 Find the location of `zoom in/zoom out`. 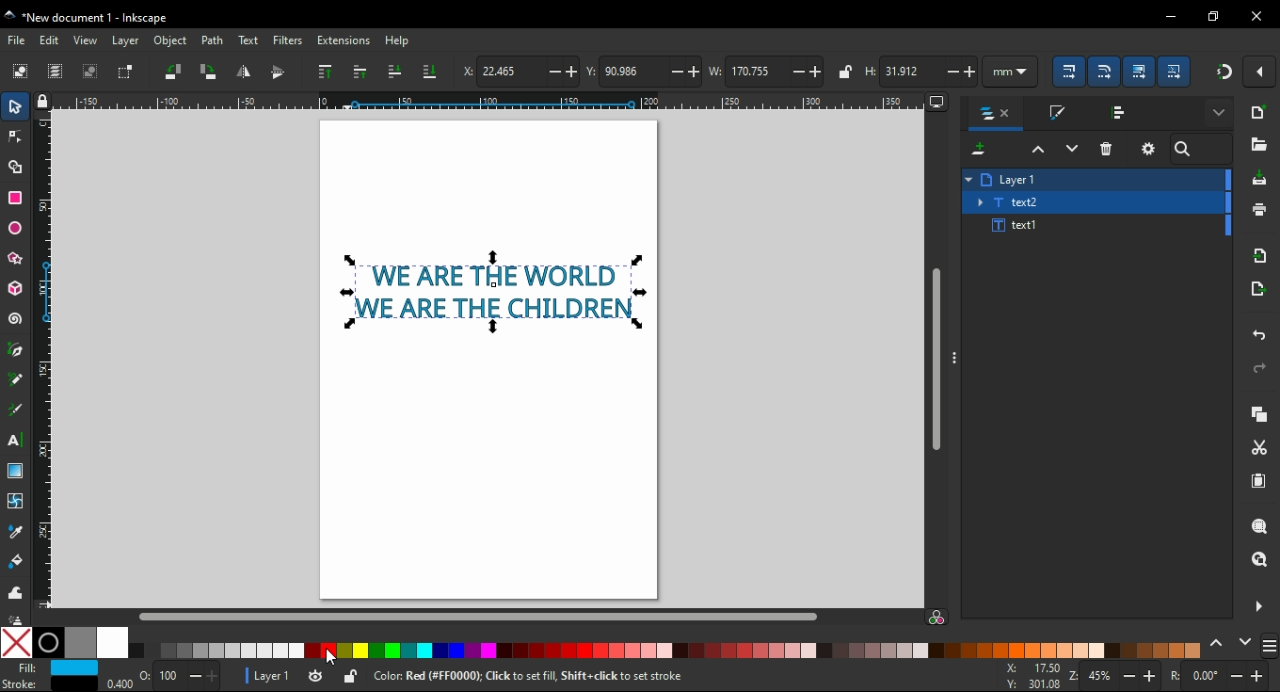

zoom in/zoom out is located at coordinates (1117, 675).